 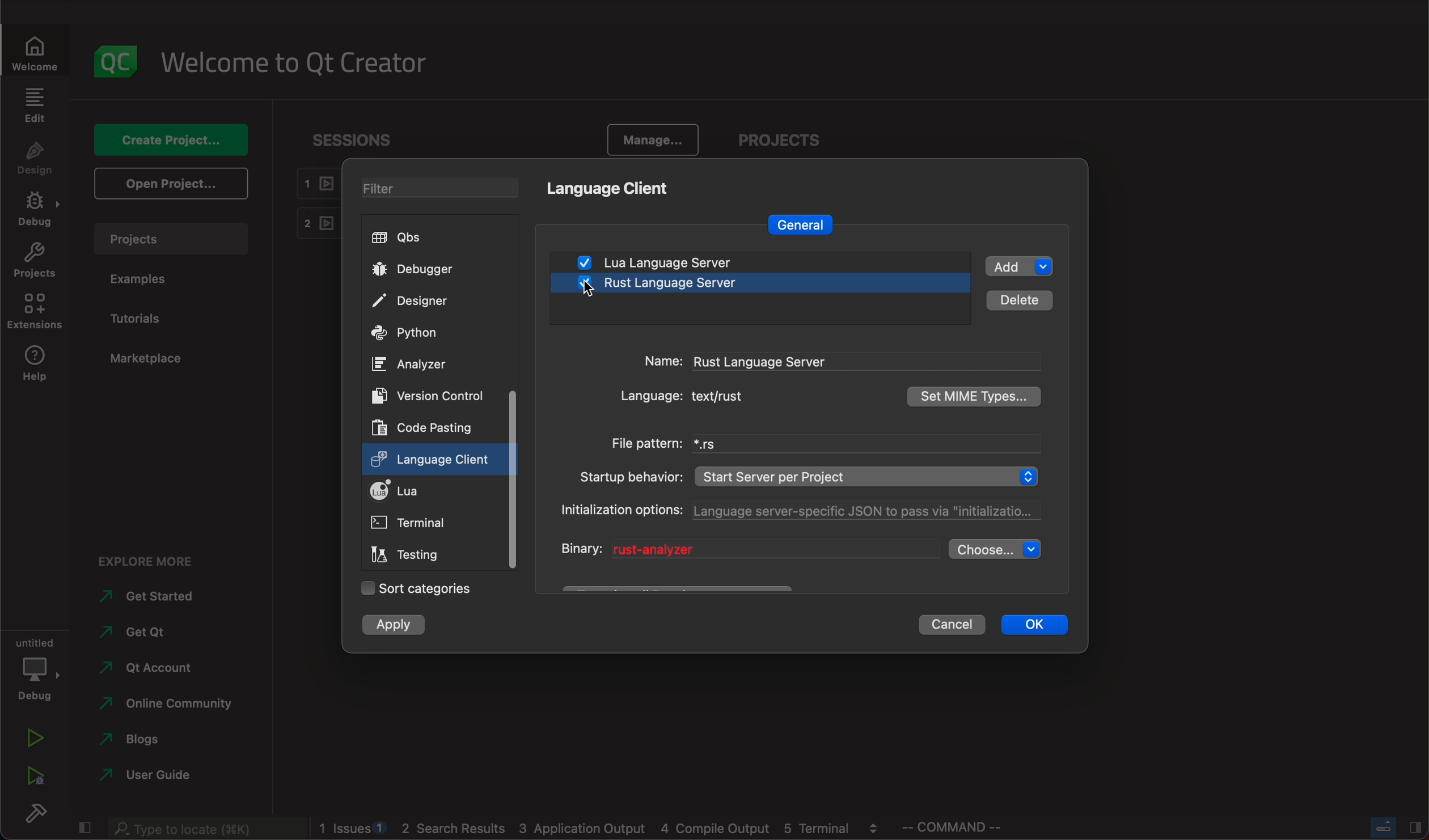 I want to click on rust, so click(x=694, y=286).